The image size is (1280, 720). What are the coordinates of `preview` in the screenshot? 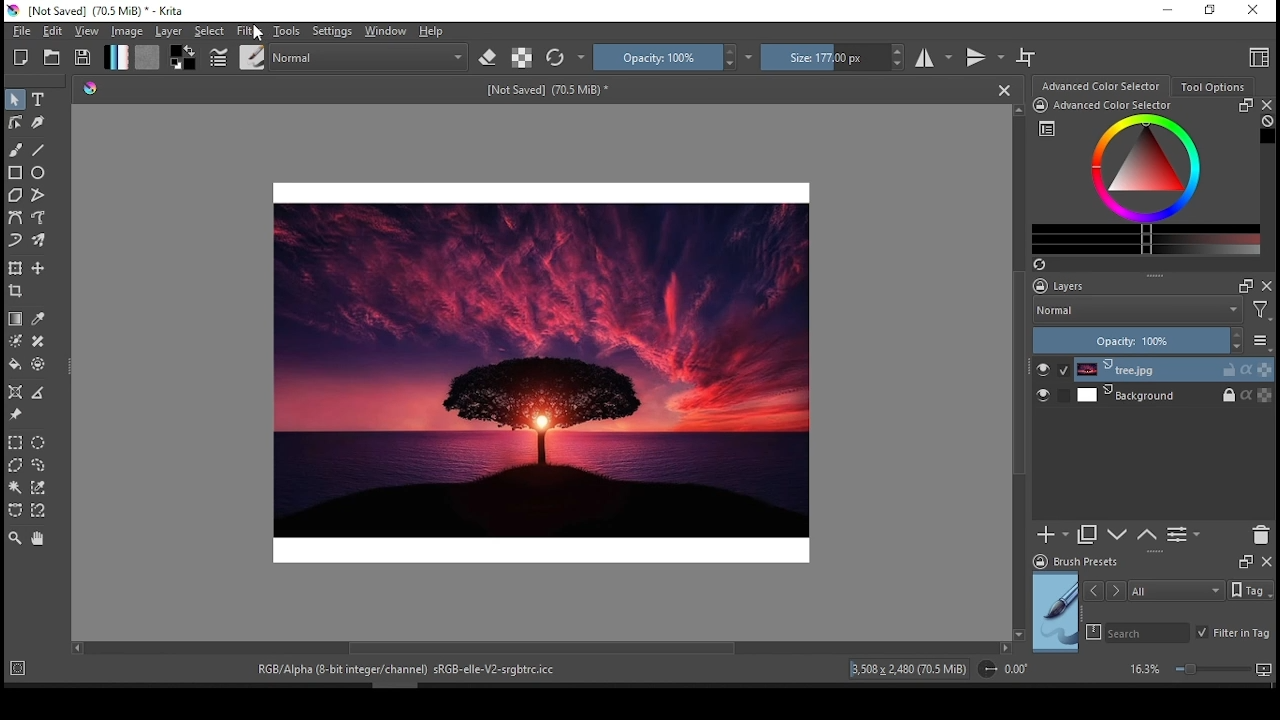 It's located at (1056, 613).